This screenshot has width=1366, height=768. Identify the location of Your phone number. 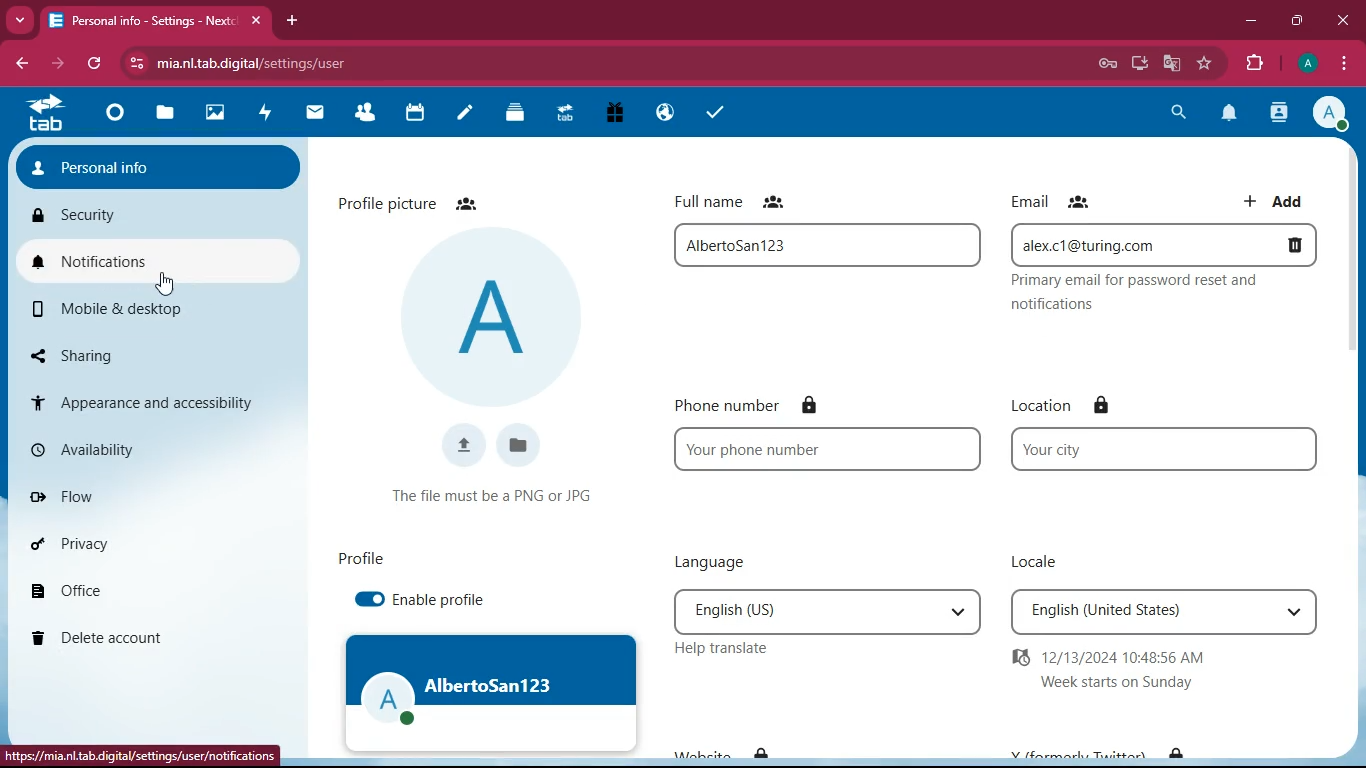
(828, 451).